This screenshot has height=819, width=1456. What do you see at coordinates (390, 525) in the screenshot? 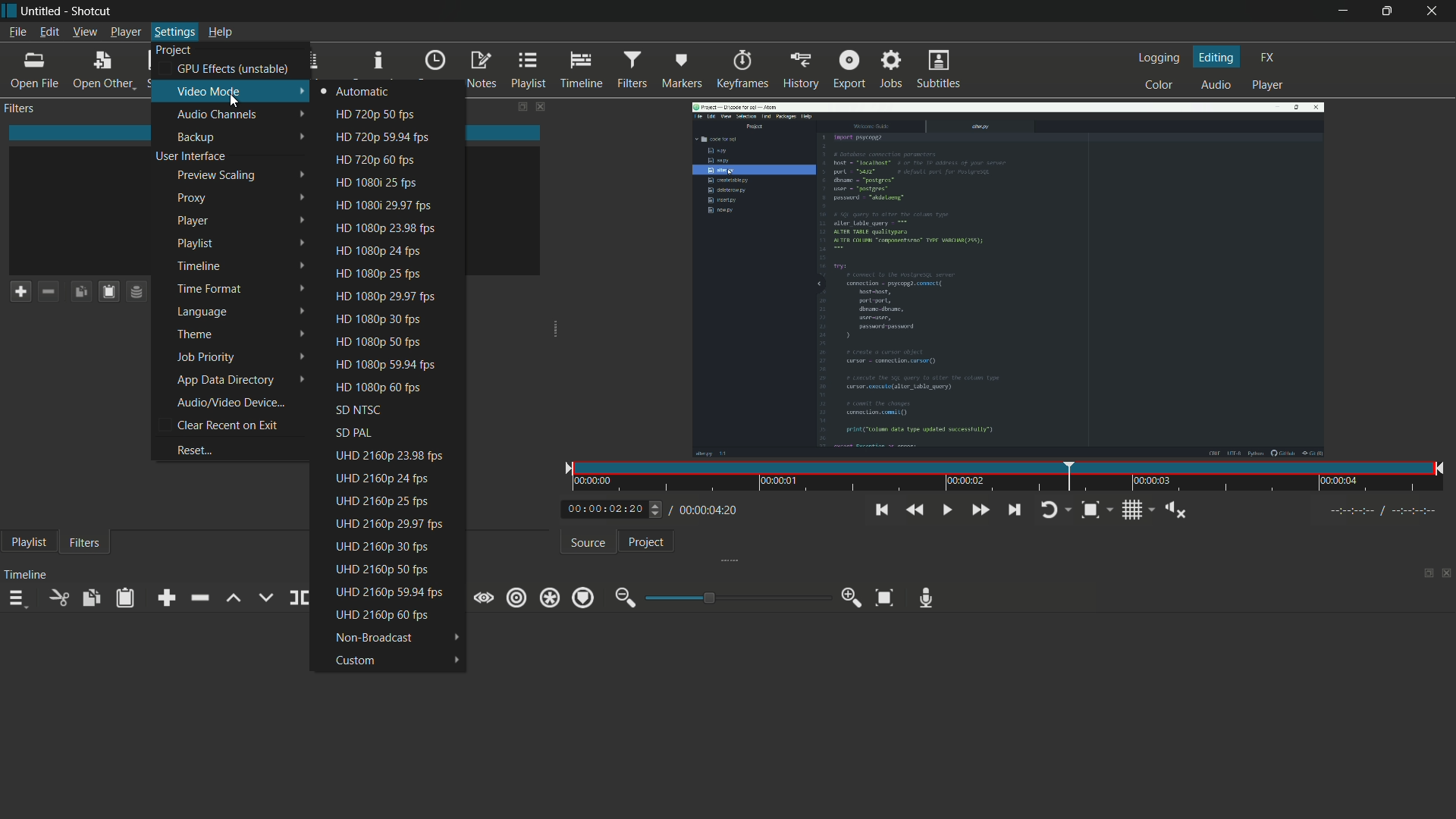
I see `uhd 2160p 29.97 fps` at bounding box center [390, 525].